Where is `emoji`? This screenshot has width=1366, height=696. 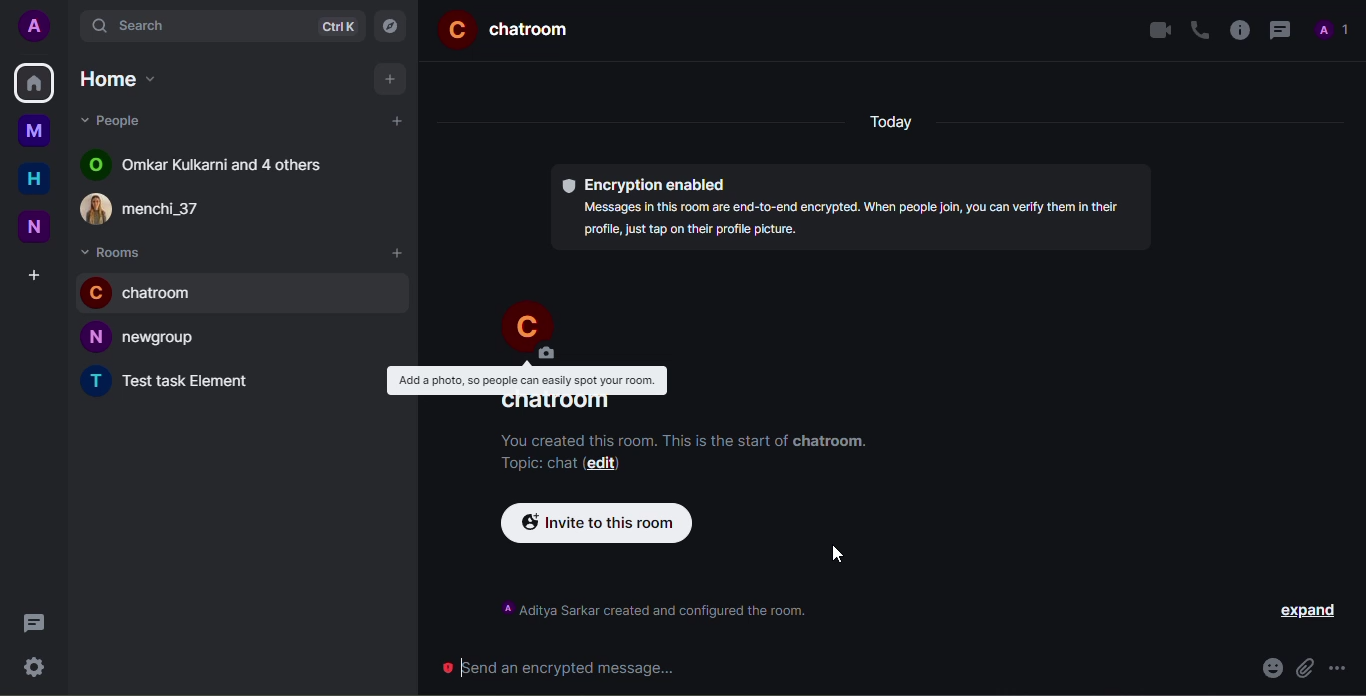
emoji is located at coordinates (1270, 669).